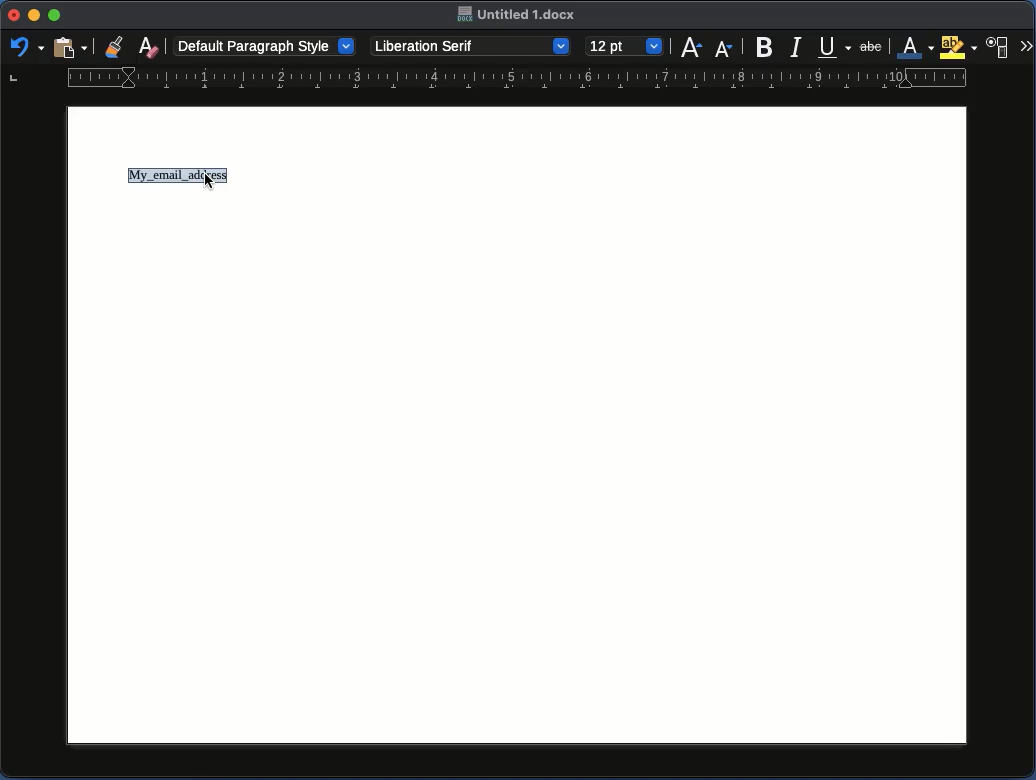 This screenshot has height=780, width=1036. What do you see at coordinates (489, 81) in the screenshot?
I see `Ruler` at bounding box center [489, 81].